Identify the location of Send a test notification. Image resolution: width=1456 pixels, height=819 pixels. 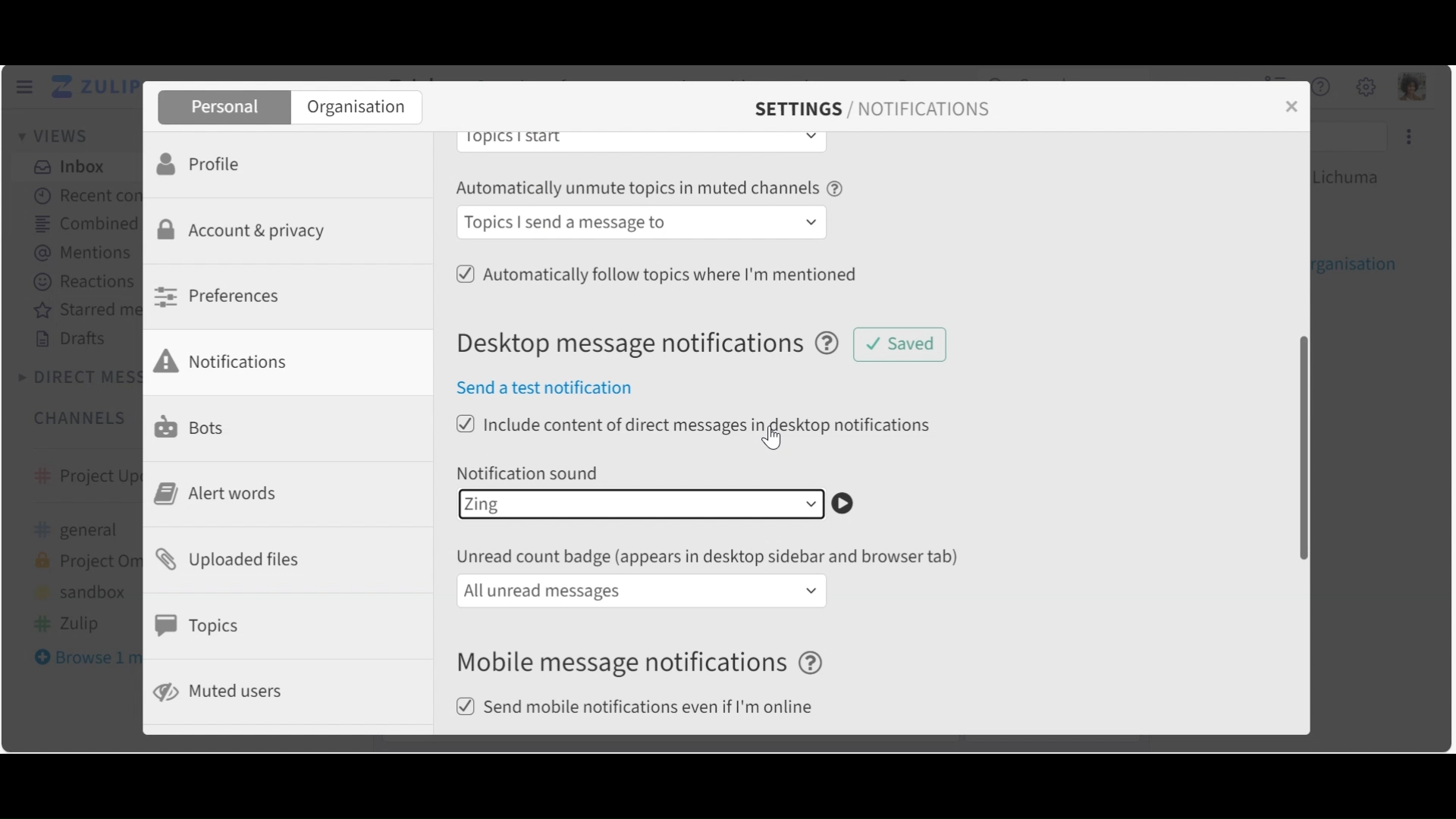
(554, 389).